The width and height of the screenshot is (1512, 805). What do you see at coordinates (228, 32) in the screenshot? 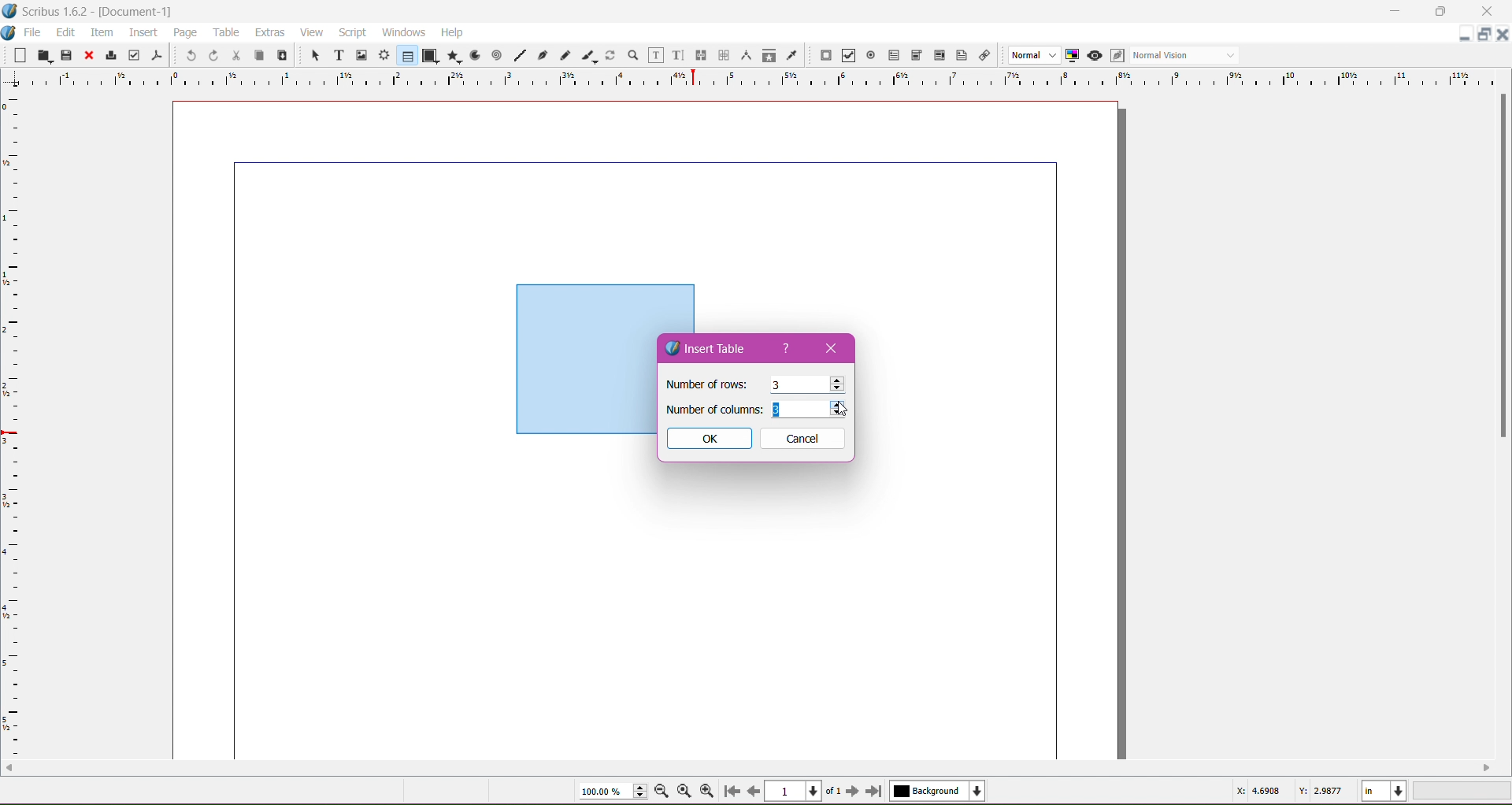
I see `Table` at bounding box center [228, 32].